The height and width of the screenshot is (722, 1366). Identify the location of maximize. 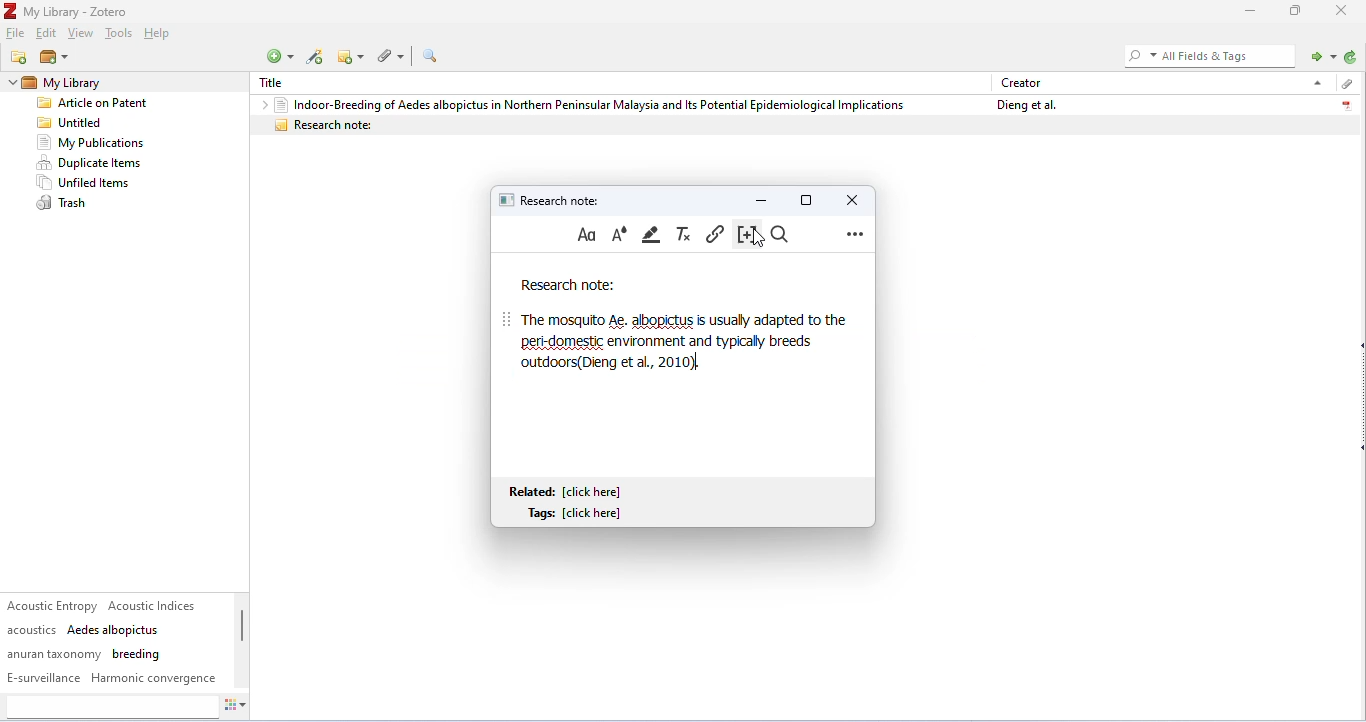
(1296, 10).